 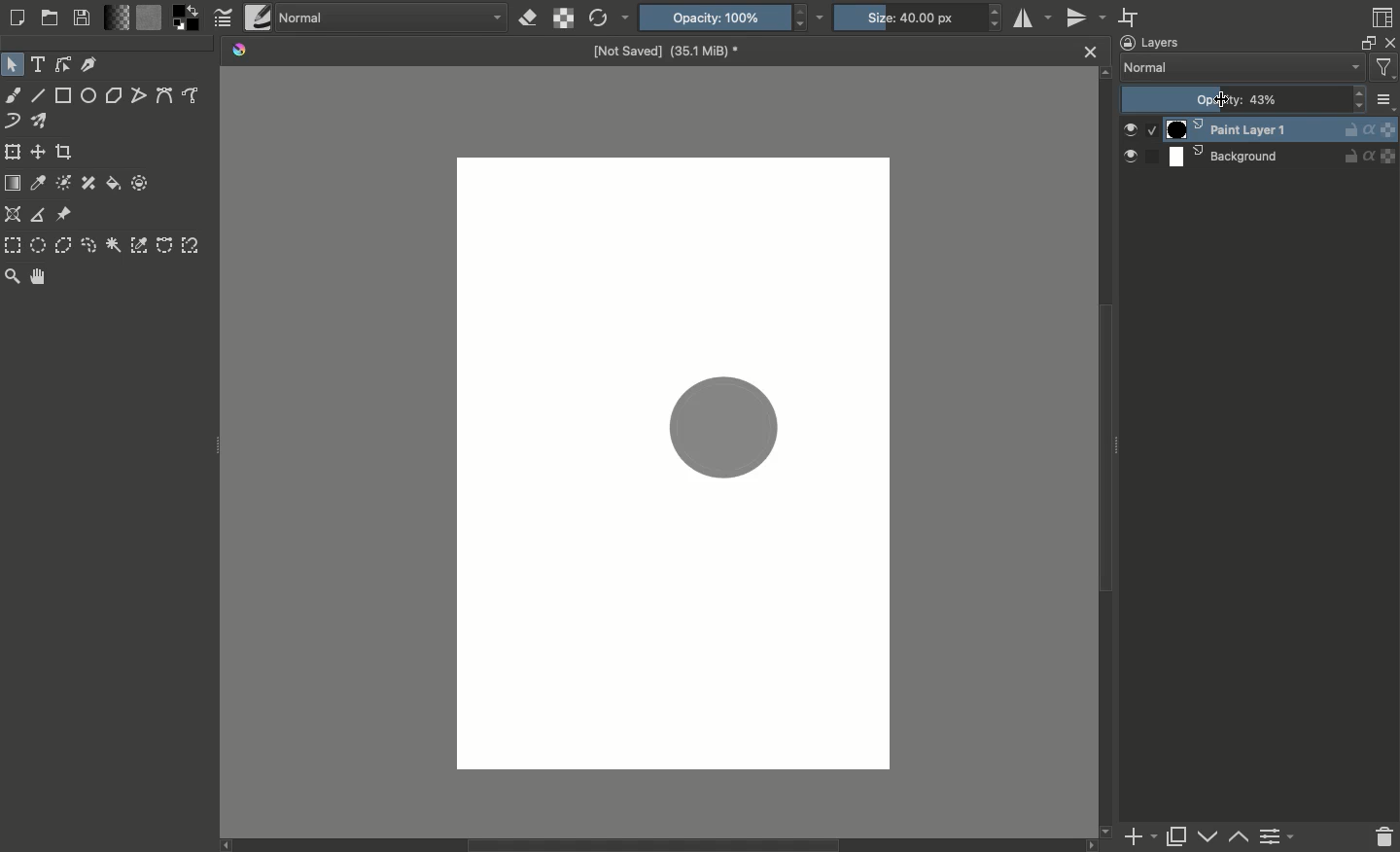 I want to click on layer, so click(x=1389, y=156).